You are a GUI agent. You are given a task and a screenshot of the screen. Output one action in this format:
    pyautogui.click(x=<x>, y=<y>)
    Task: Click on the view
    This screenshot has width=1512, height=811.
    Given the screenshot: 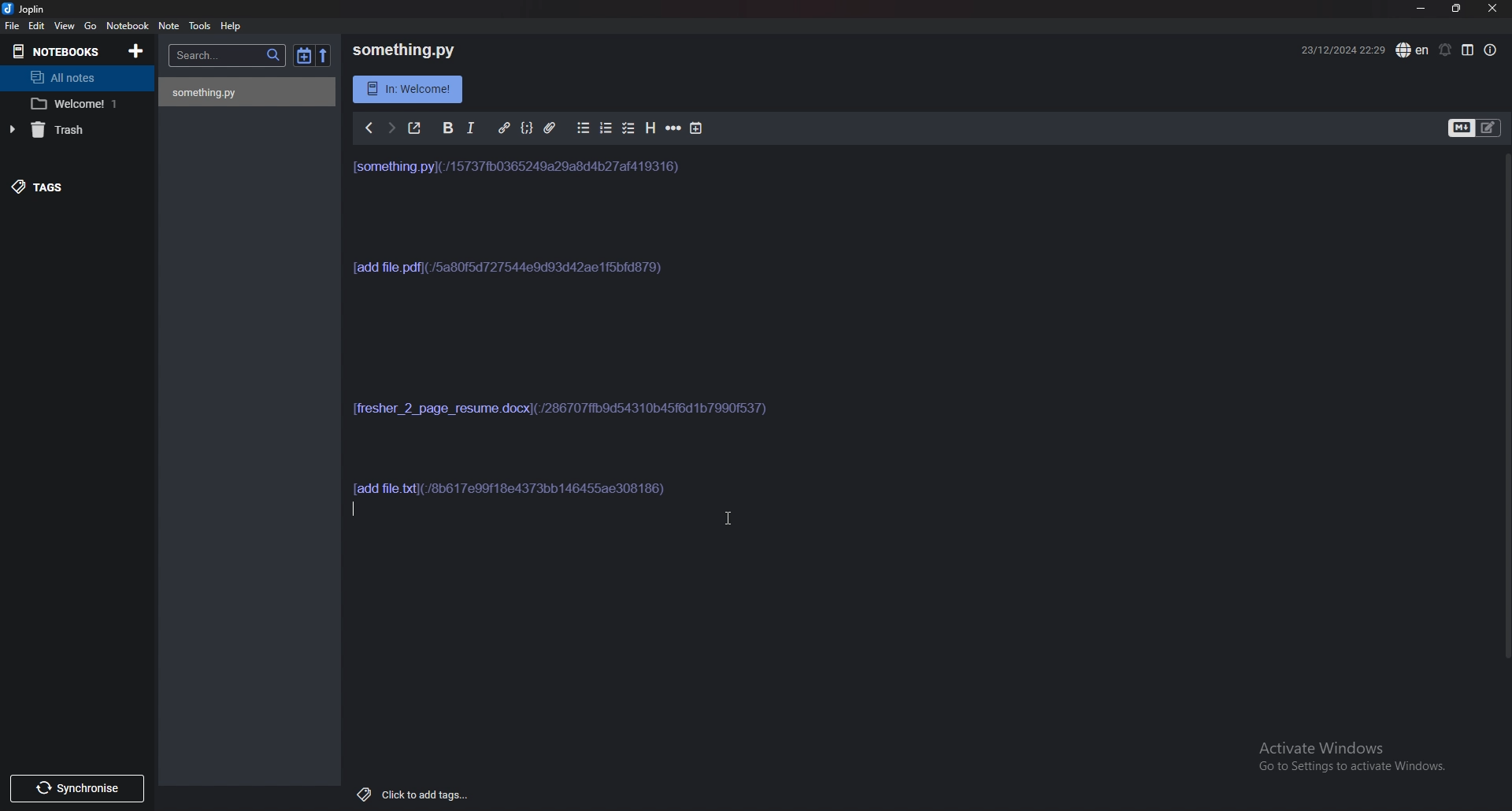 What is the action you would take?
    pyautogui.click(x=66, y=26)
    